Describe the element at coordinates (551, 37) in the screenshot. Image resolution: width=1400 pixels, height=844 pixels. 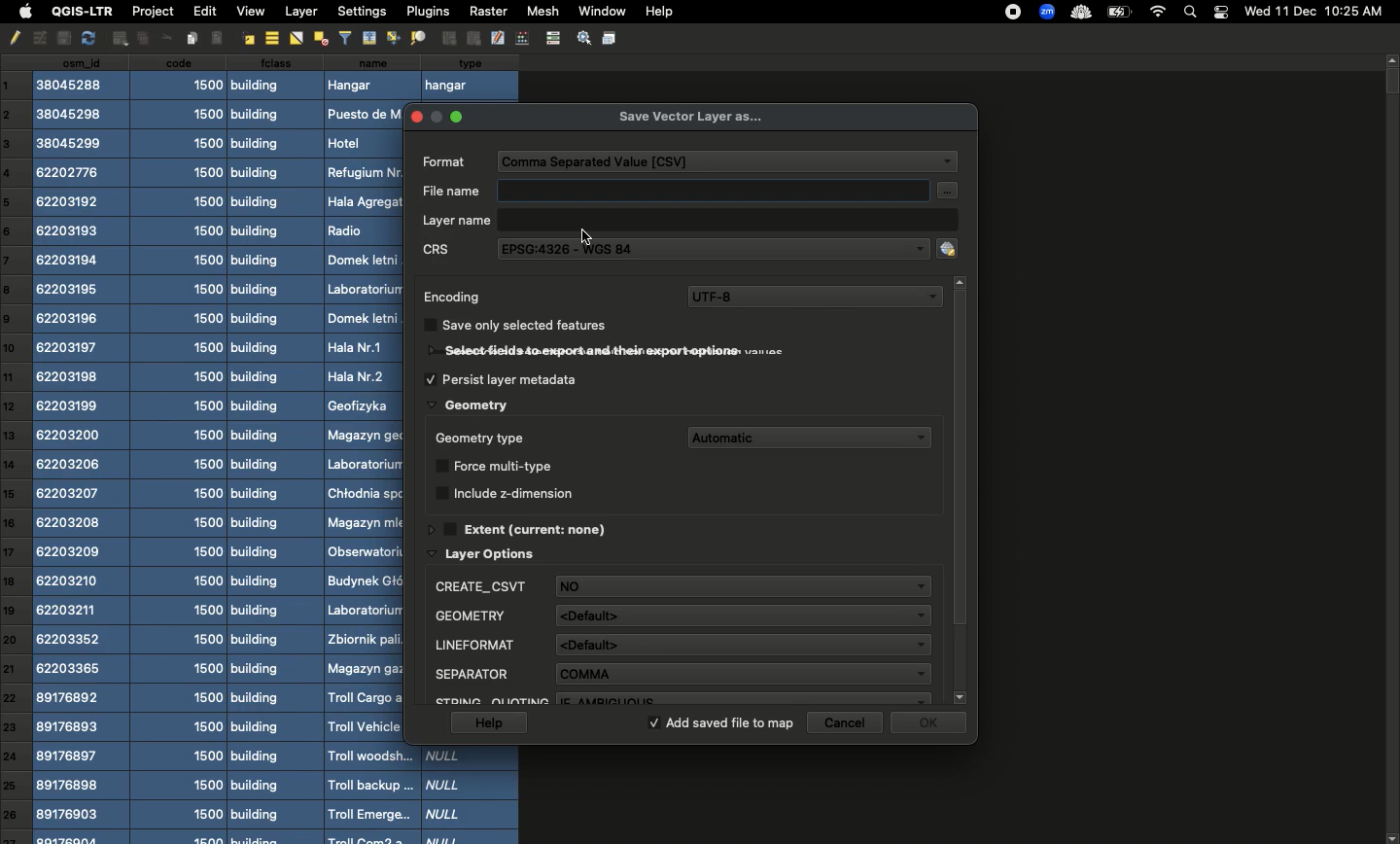
I see `control bar` at that location.